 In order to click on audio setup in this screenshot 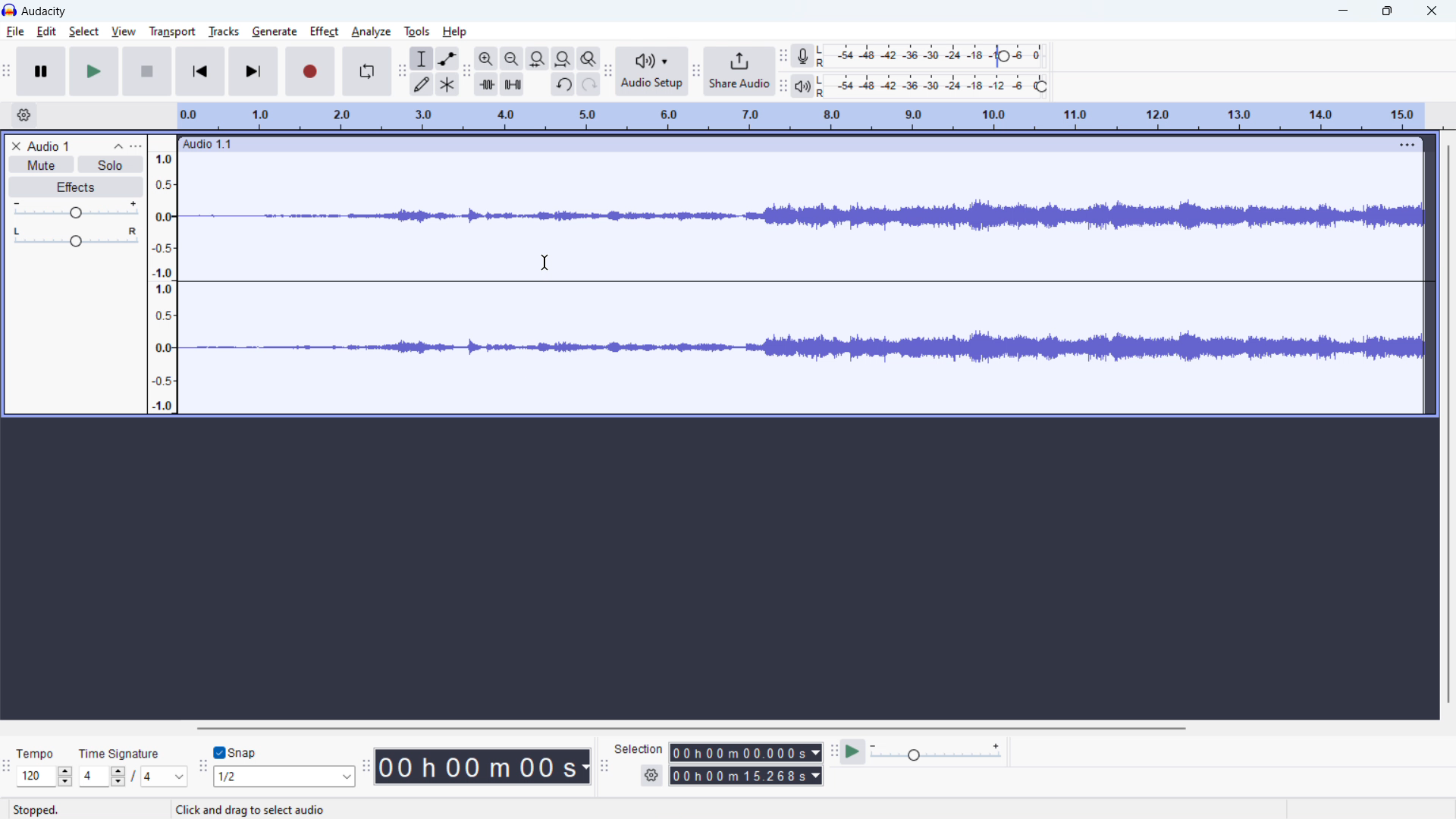, I will do `click(651, 71)`.